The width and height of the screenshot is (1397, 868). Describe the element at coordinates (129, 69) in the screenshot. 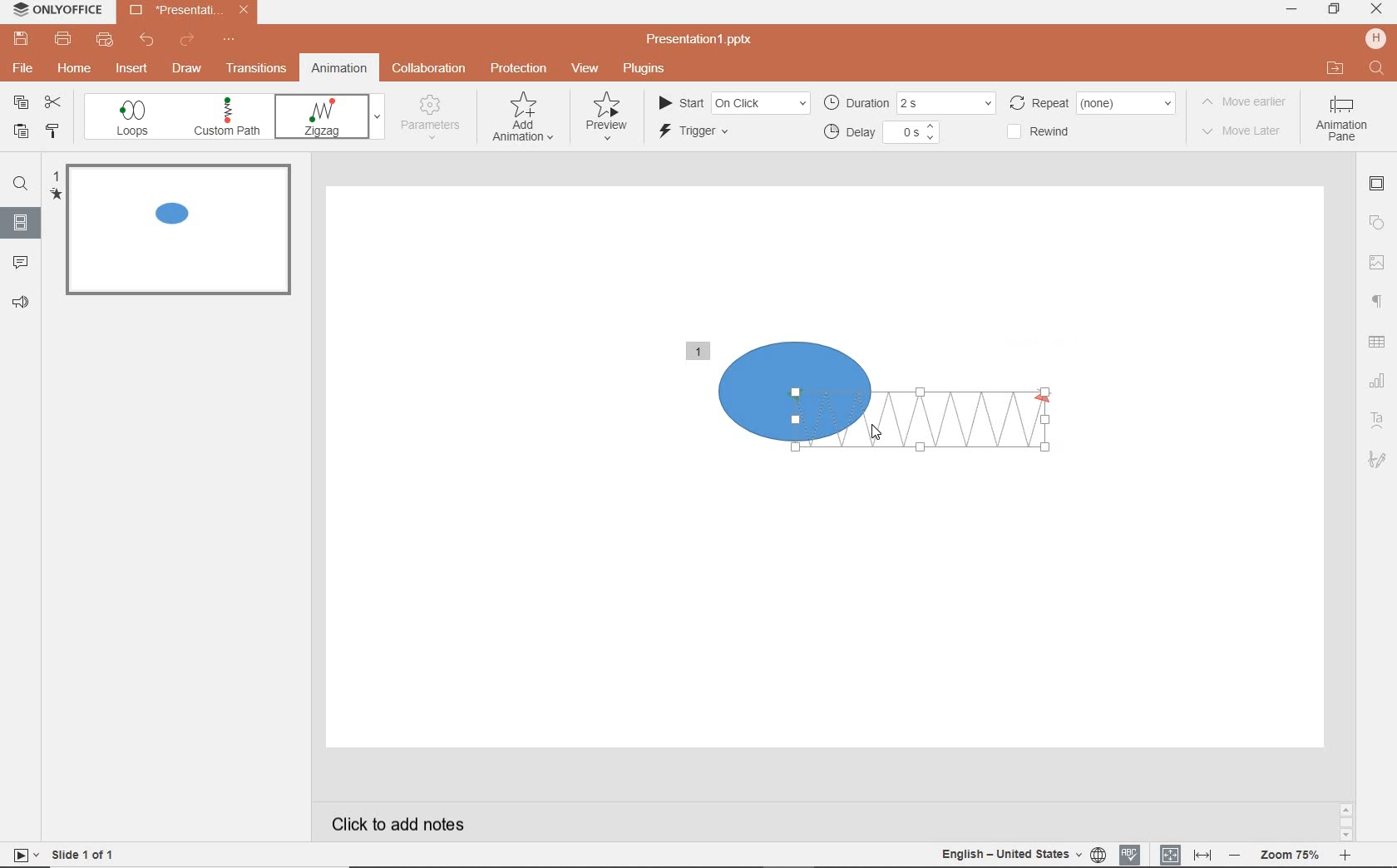

I see `insert` at that location.